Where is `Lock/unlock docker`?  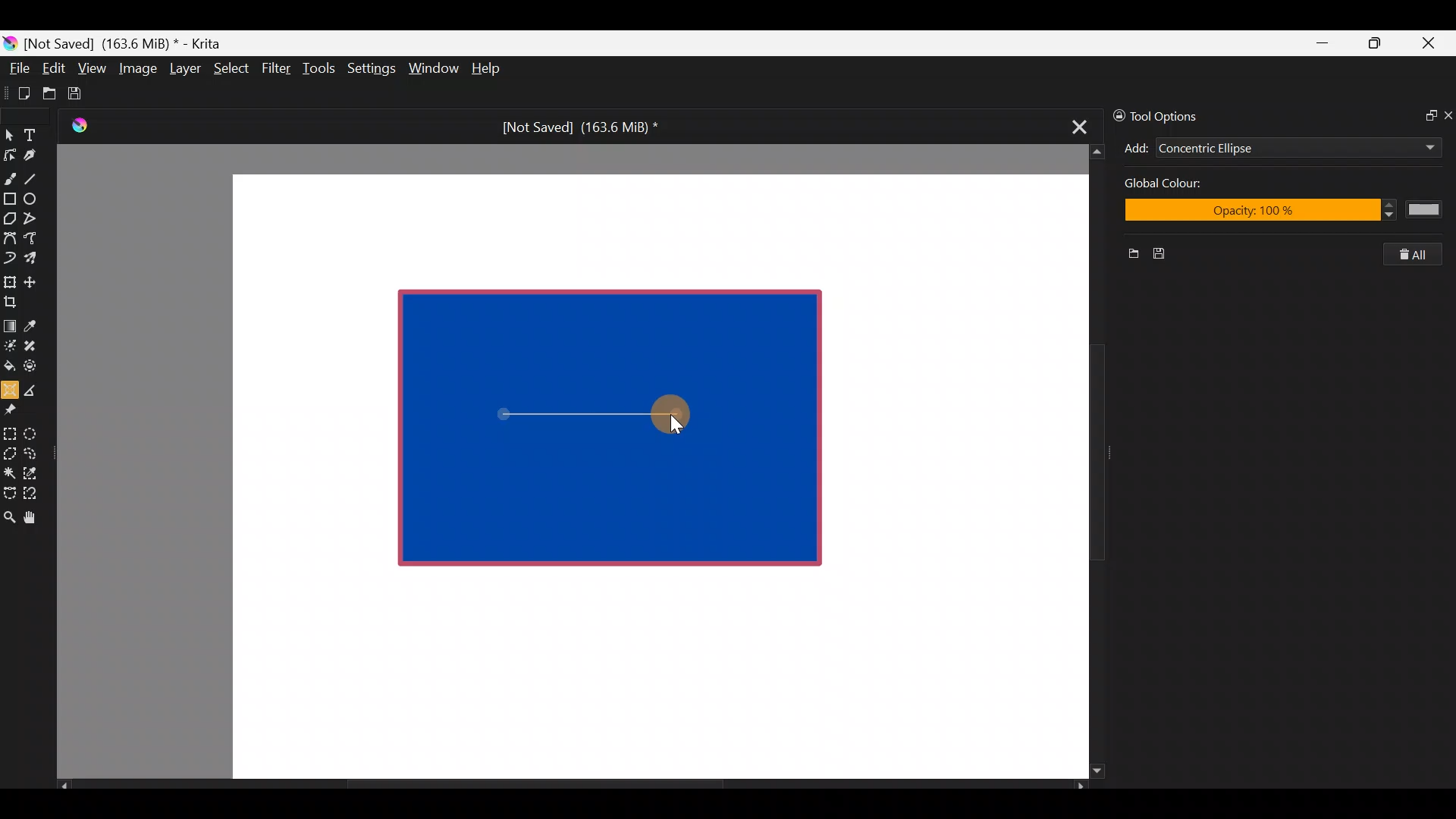
Lock/unlock docker is located at coordinates (1116, 113).